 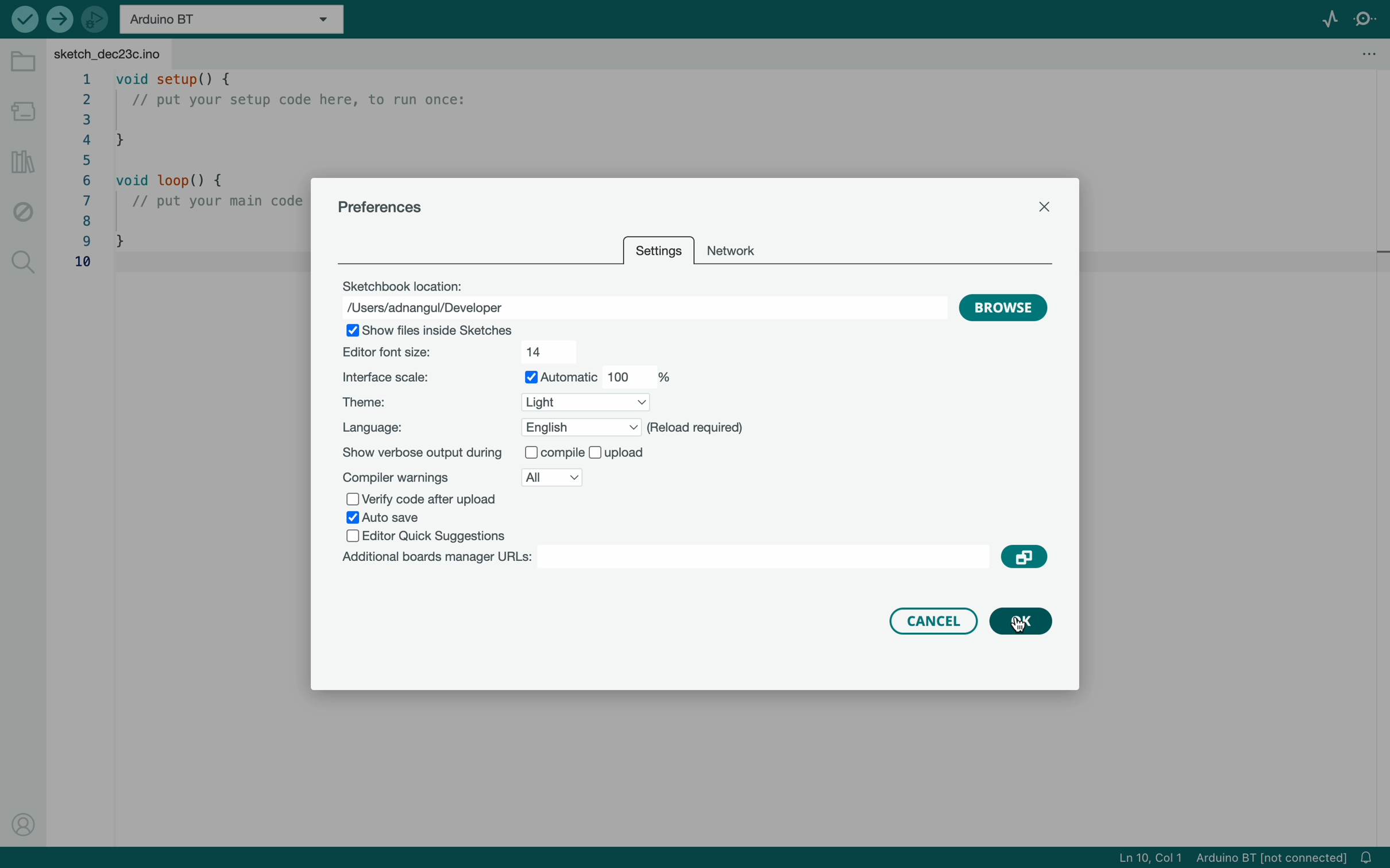 I want to click on library manger, so click(x=21, y=162).